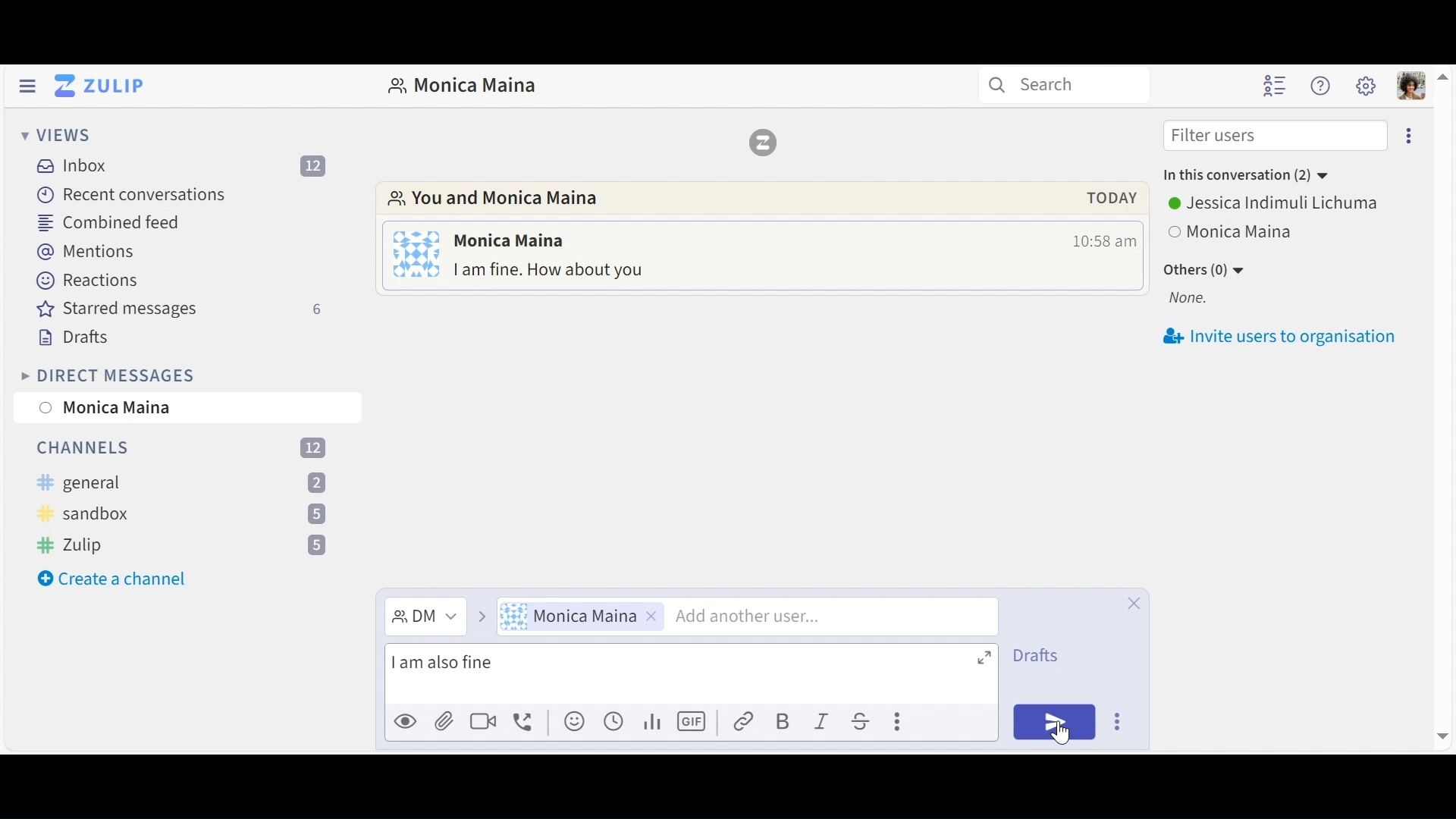  Describe the element at coordinates (1232, 231) in the screenshot. I see `View all users` at that location.